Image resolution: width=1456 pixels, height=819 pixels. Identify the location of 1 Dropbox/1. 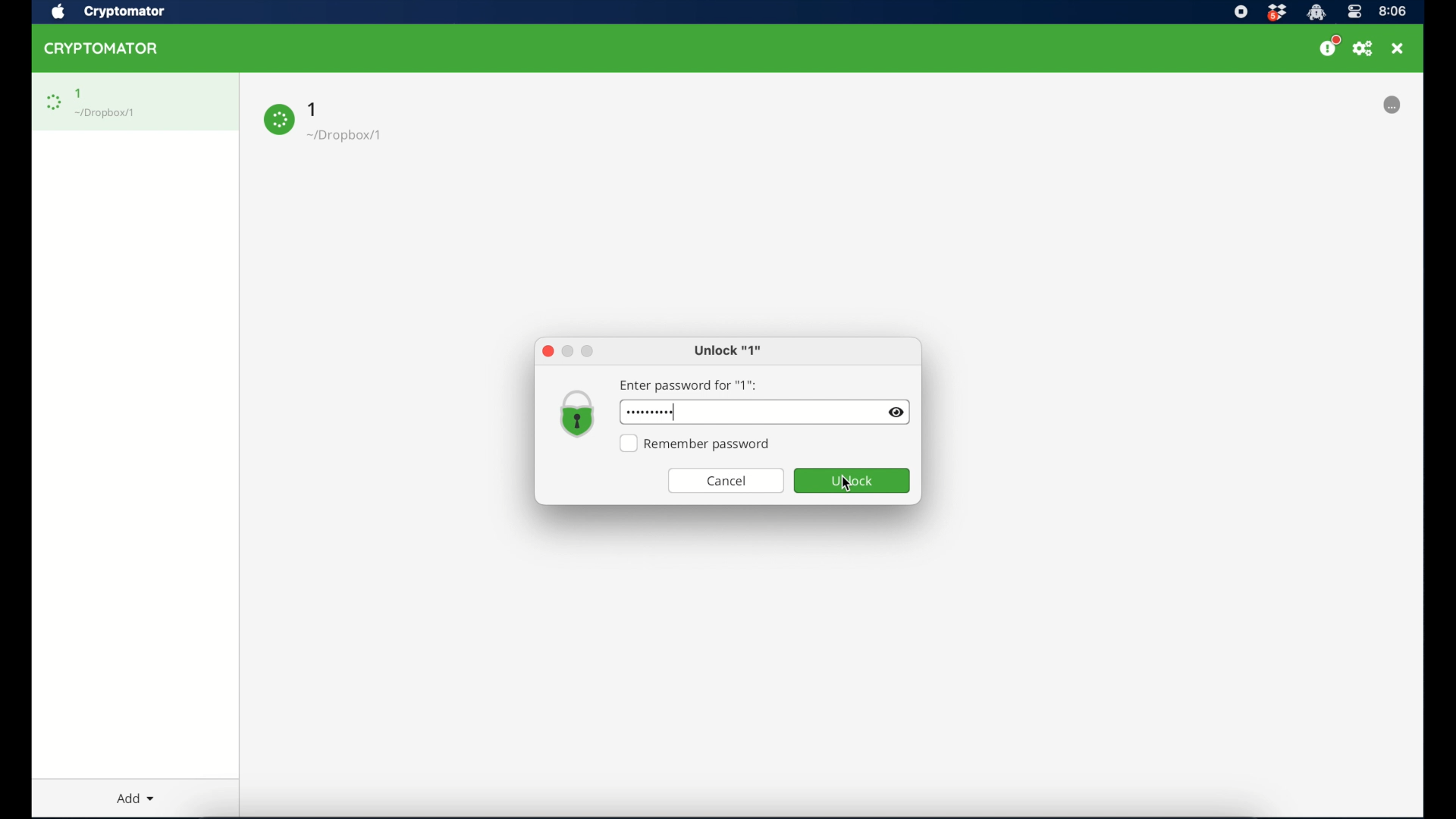
(118, 102).